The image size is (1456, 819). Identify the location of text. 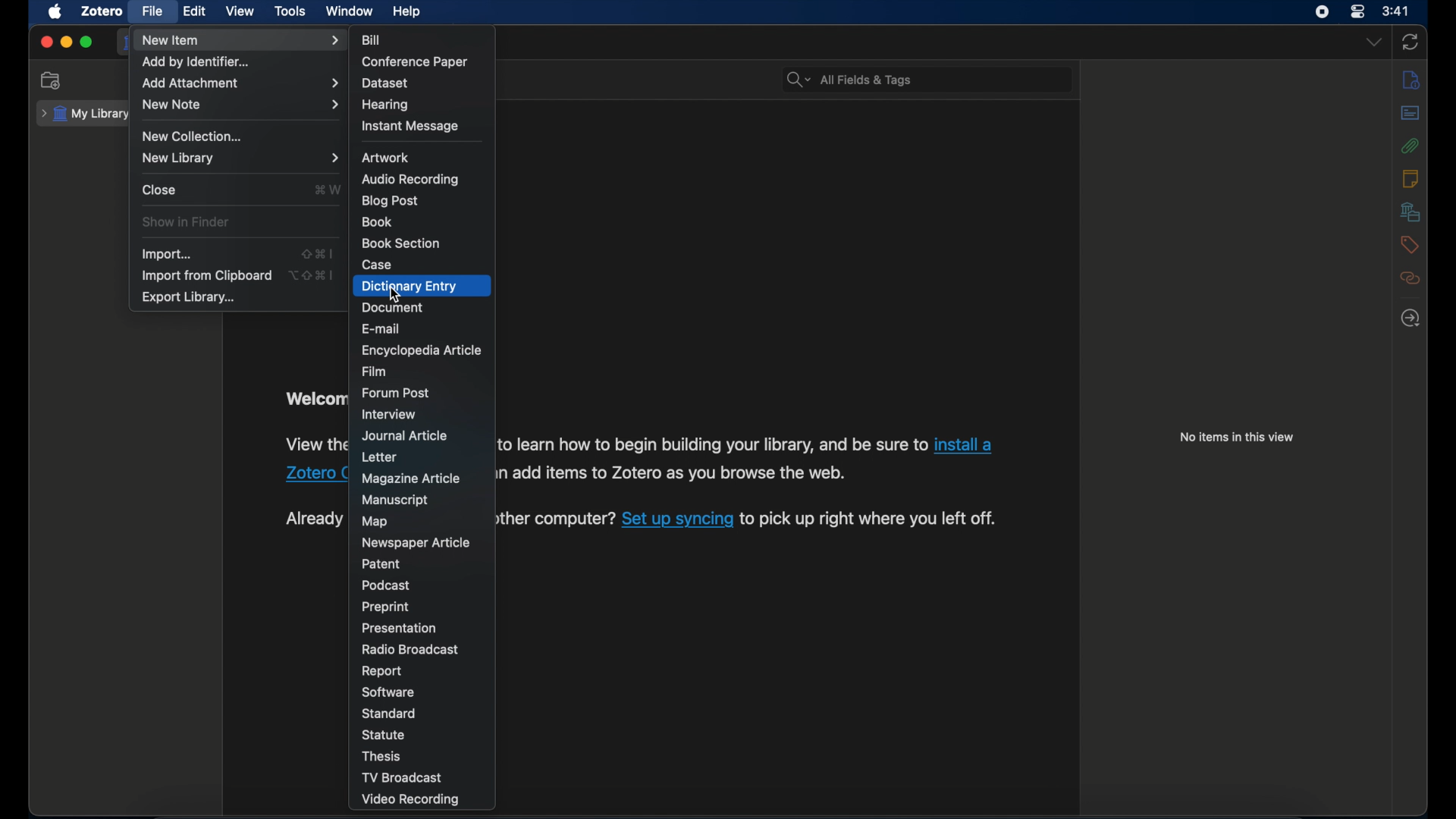
(552, 519).